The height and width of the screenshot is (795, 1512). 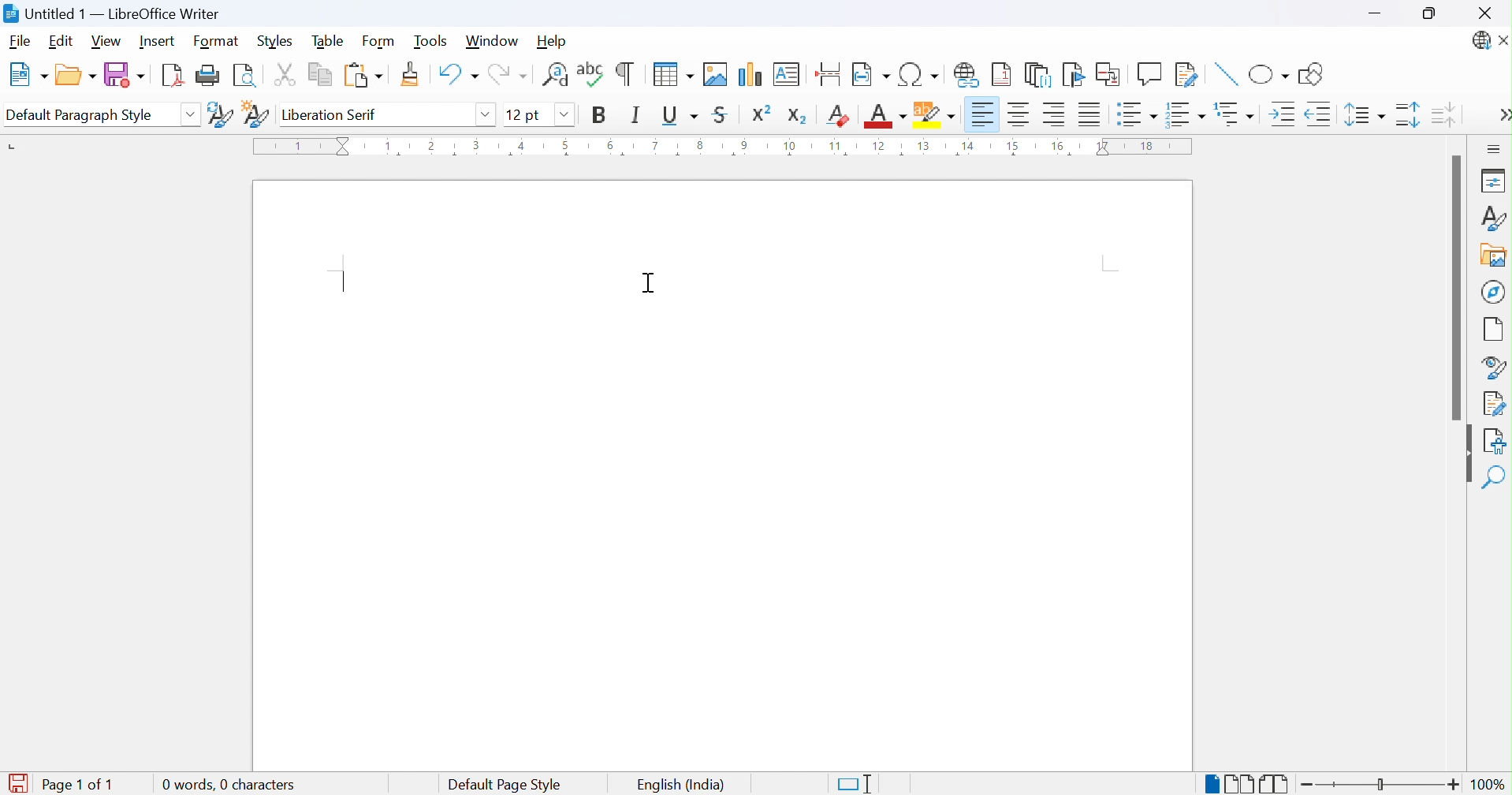 I want to click on Strikethrough, so click(x=722, y=114).